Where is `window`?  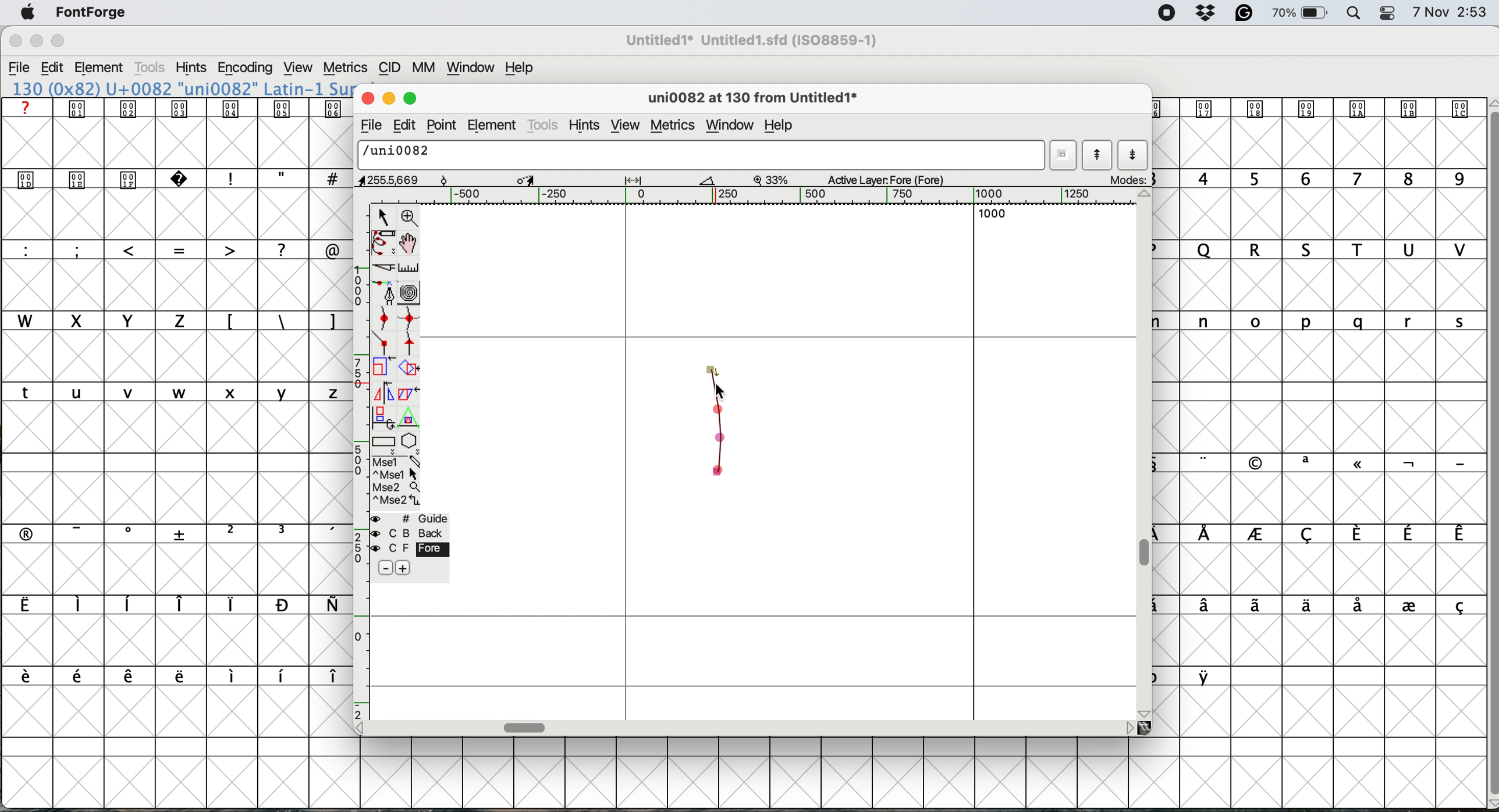
window is located at coordinates (730, 123).